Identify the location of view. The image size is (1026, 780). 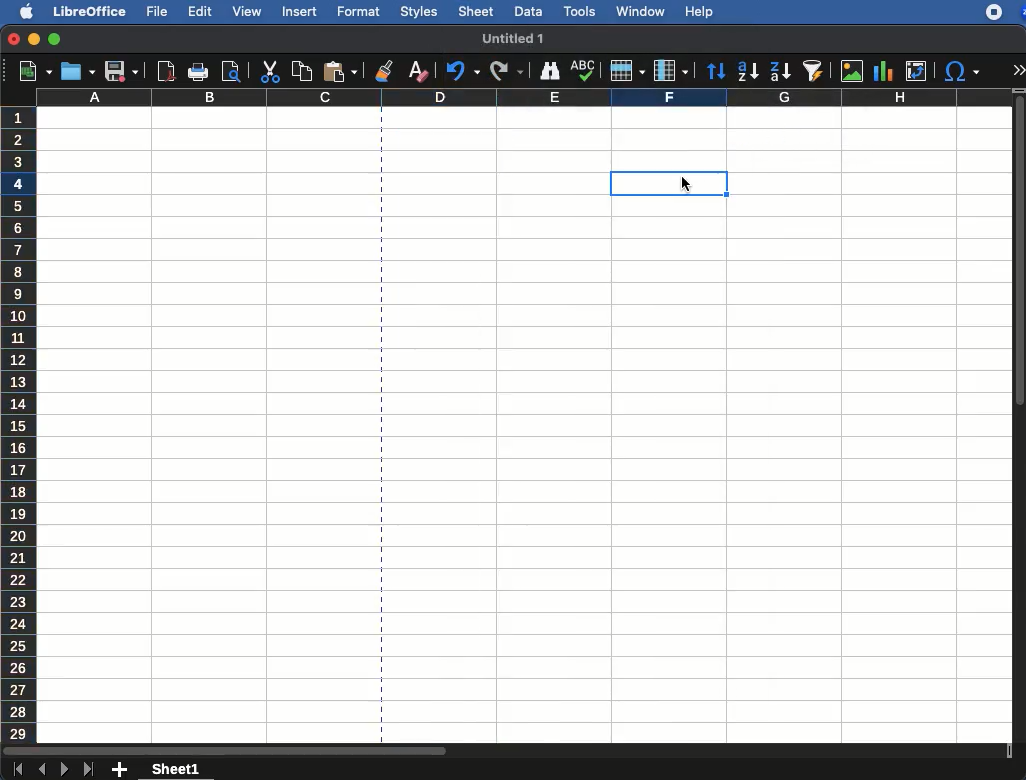
(247, 11).